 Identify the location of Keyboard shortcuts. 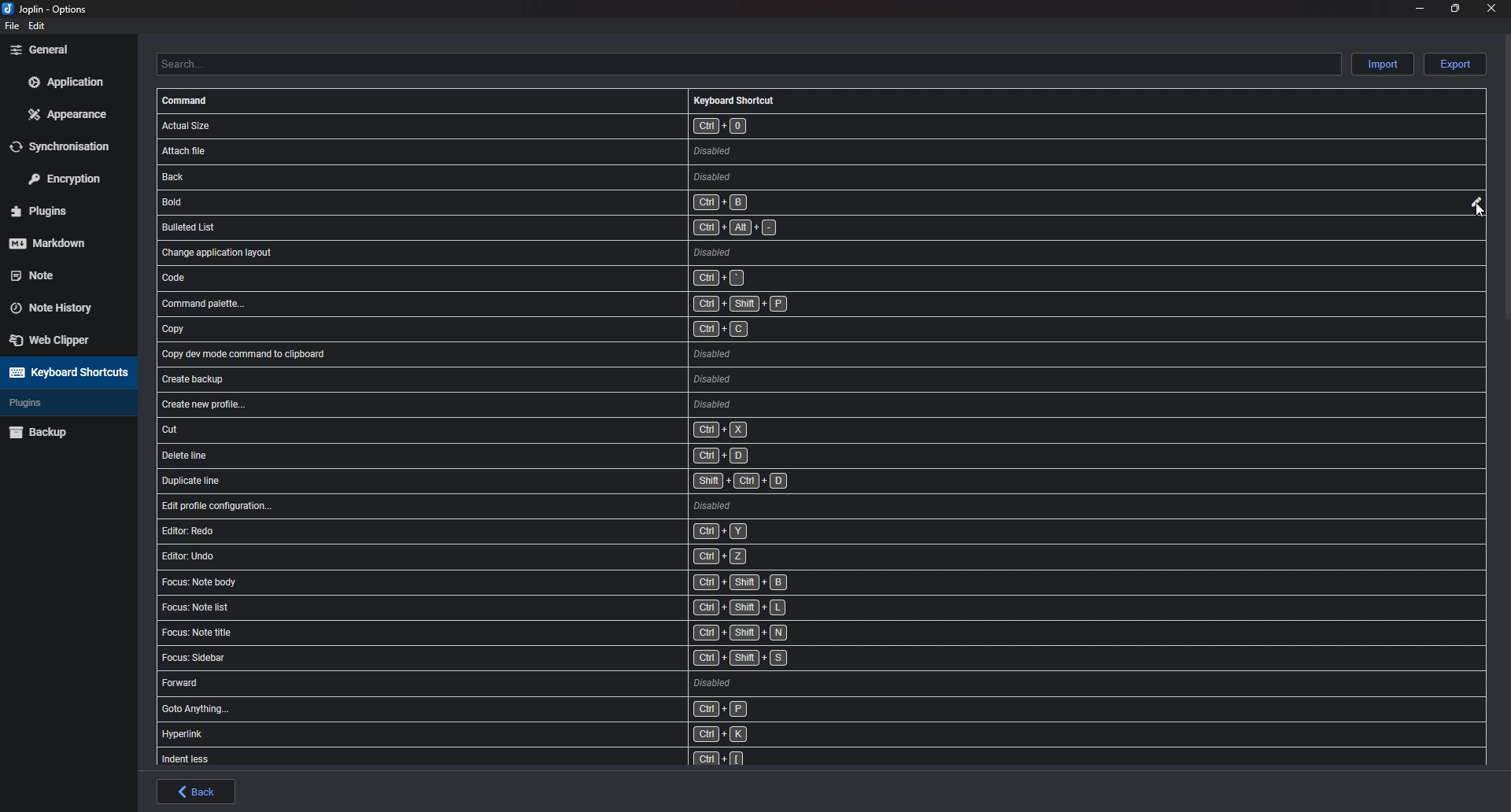
(66, 372).